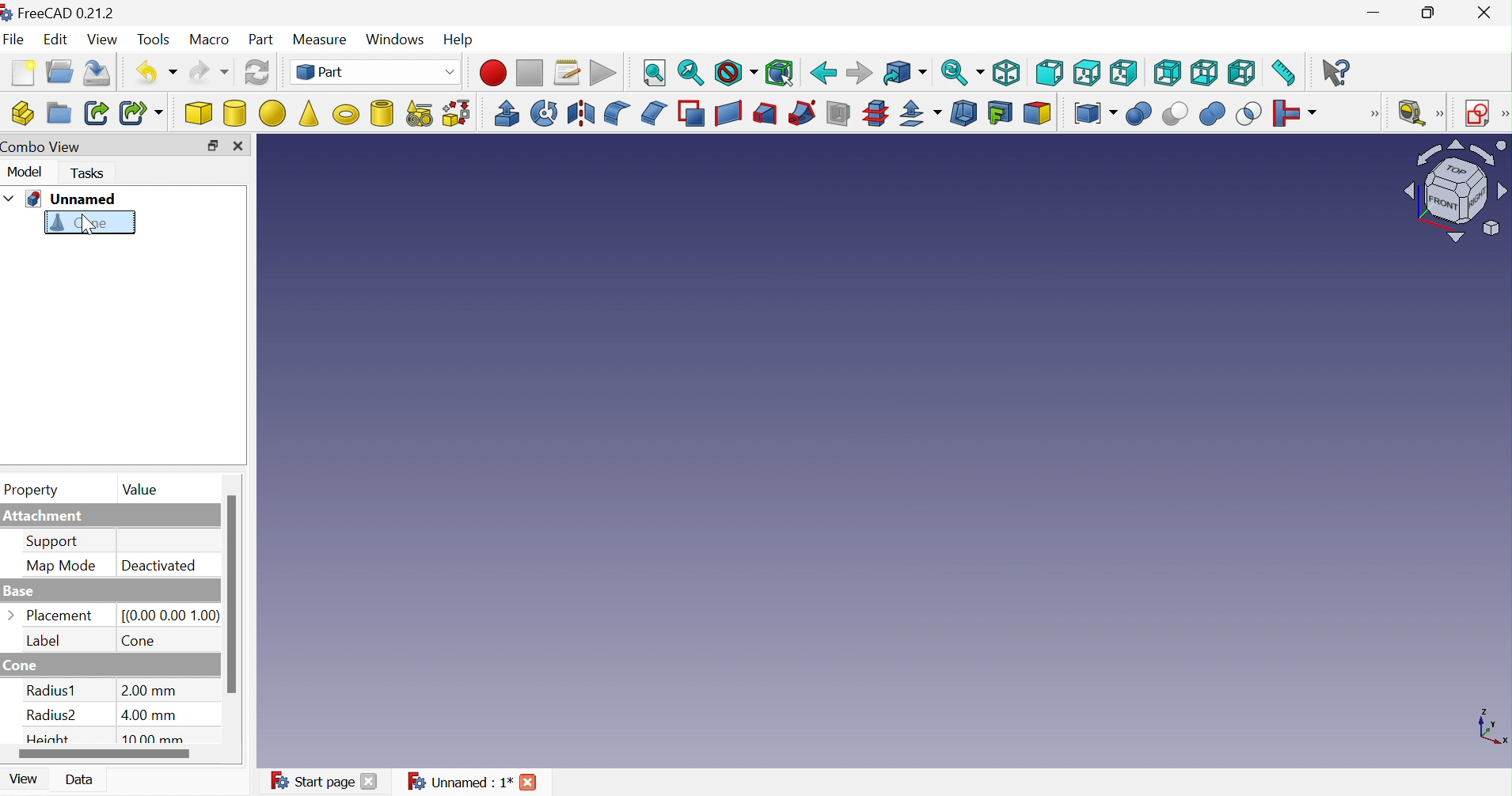  I want to click on Front, so click(1050, 74).